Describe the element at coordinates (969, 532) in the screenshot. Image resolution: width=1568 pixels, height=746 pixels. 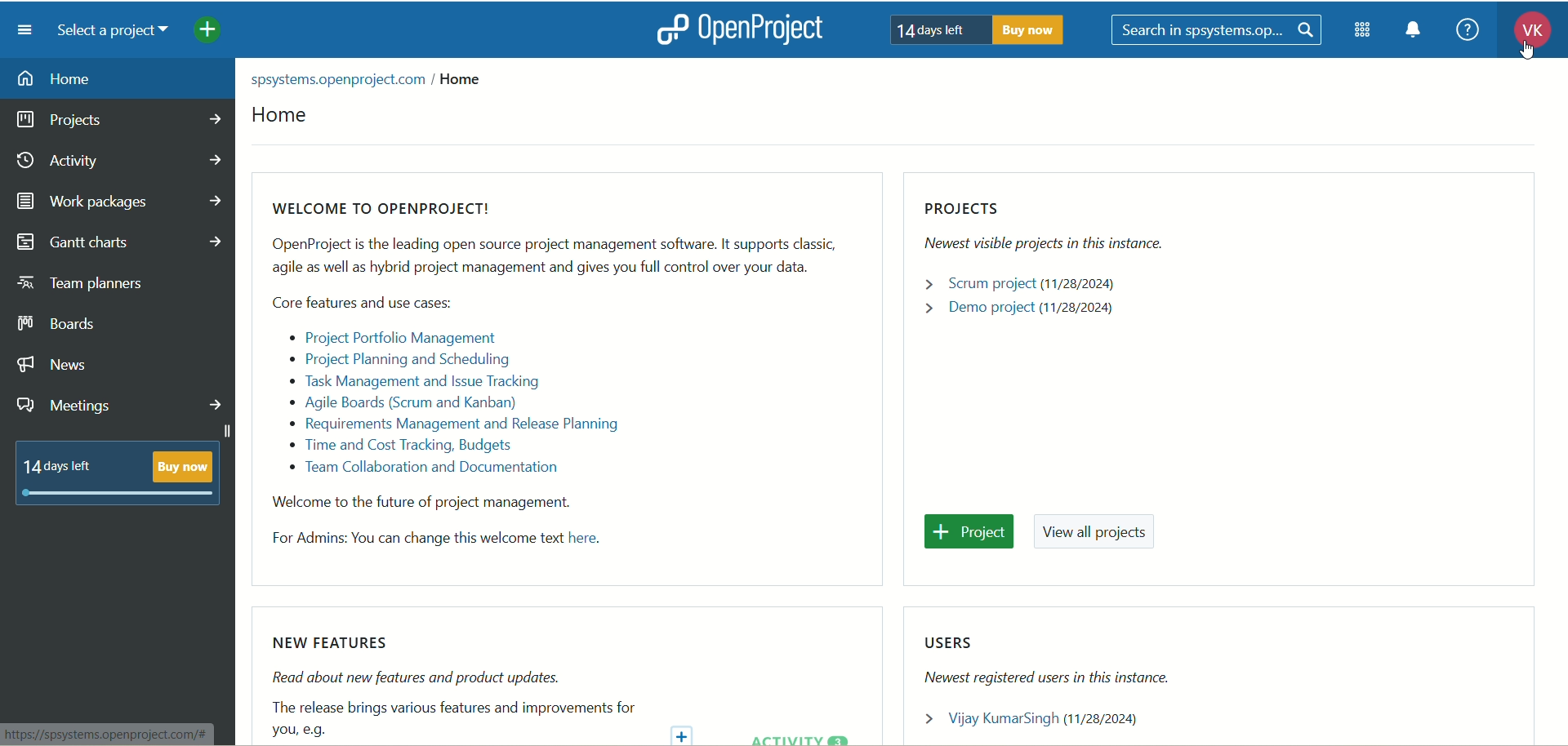
I see `project` at that location.